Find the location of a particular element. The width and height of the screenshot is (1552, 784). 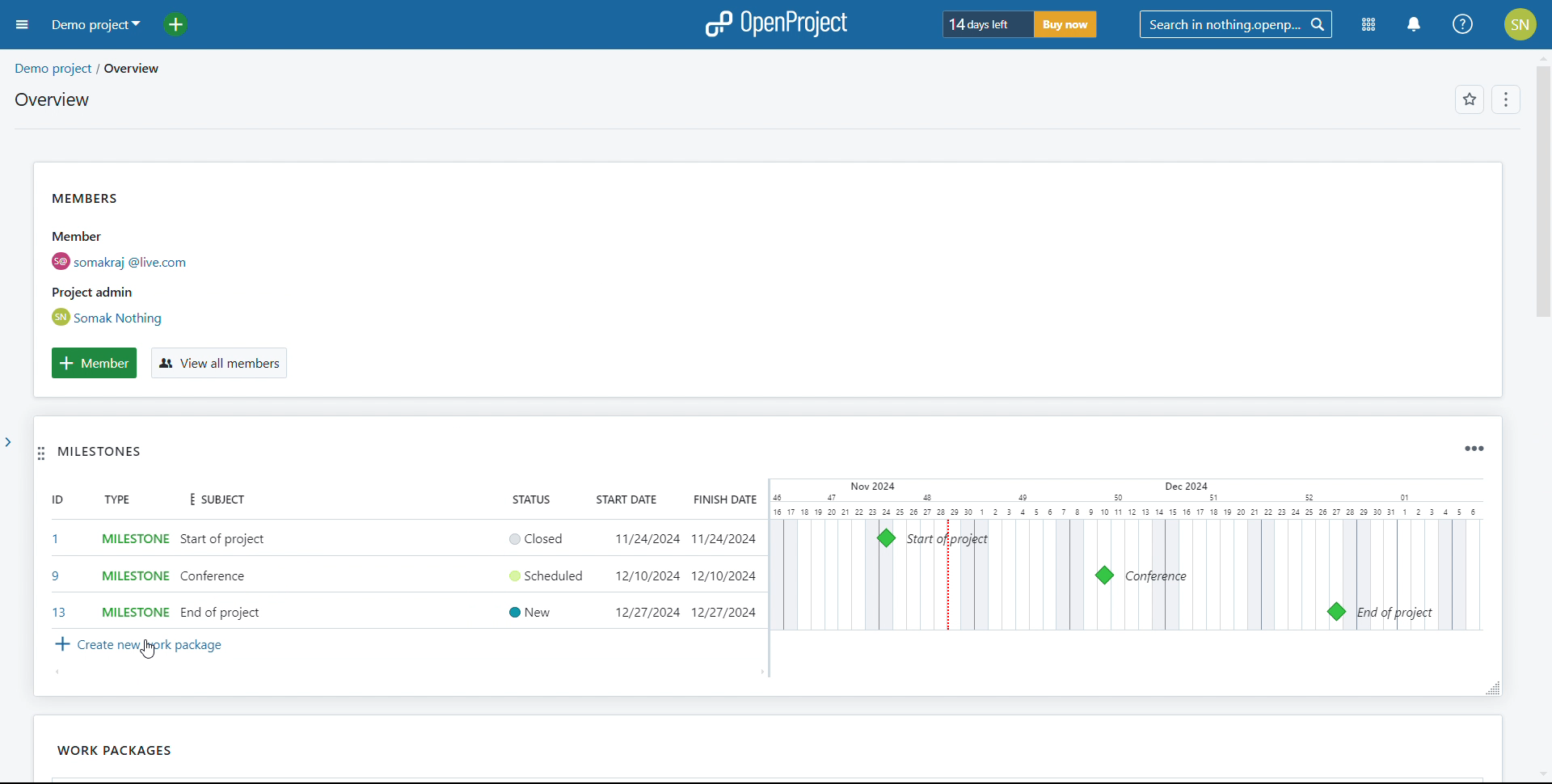

days left for trial is located at coordinates (985, 25).